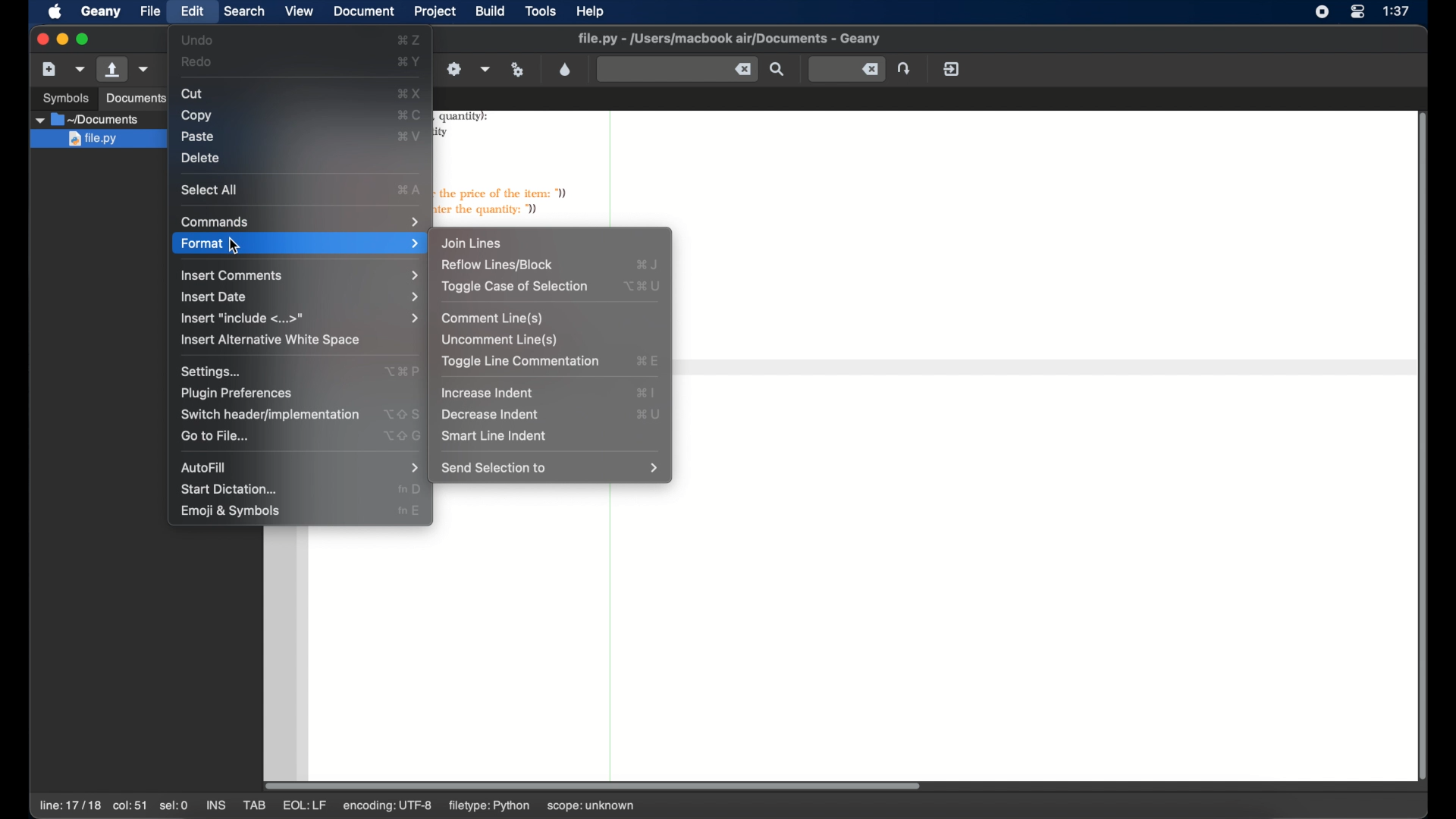 The width and height of the screenshot is (1456, 819). What do you see at coordinates (551, 468) in the screenshot?
I see `send selection to menu` at bounding box center [551, 468].